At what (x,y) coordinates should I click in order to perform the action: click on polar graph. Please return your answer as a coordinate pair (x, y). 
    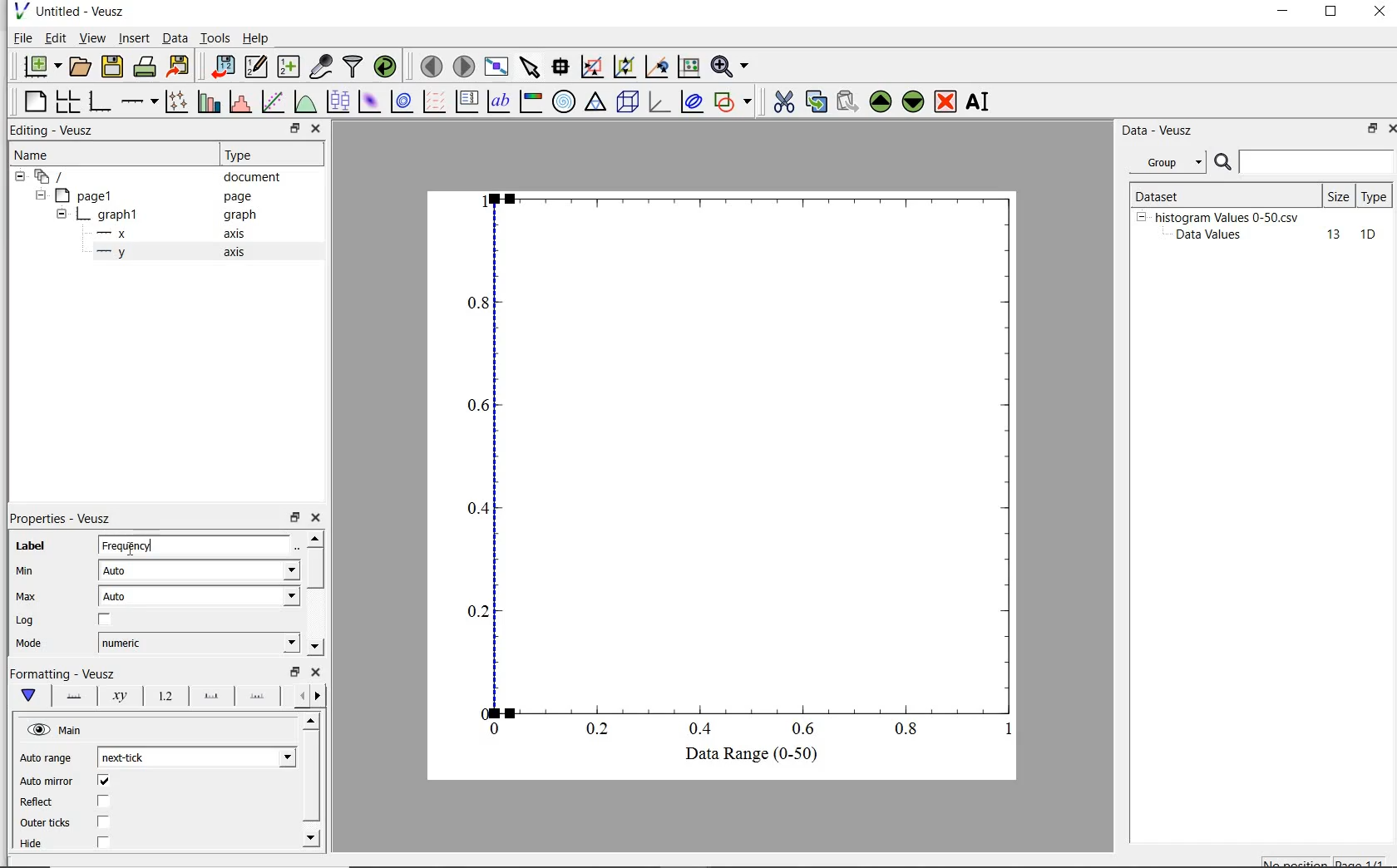
    Looking at the image, I should click on (564, 101).